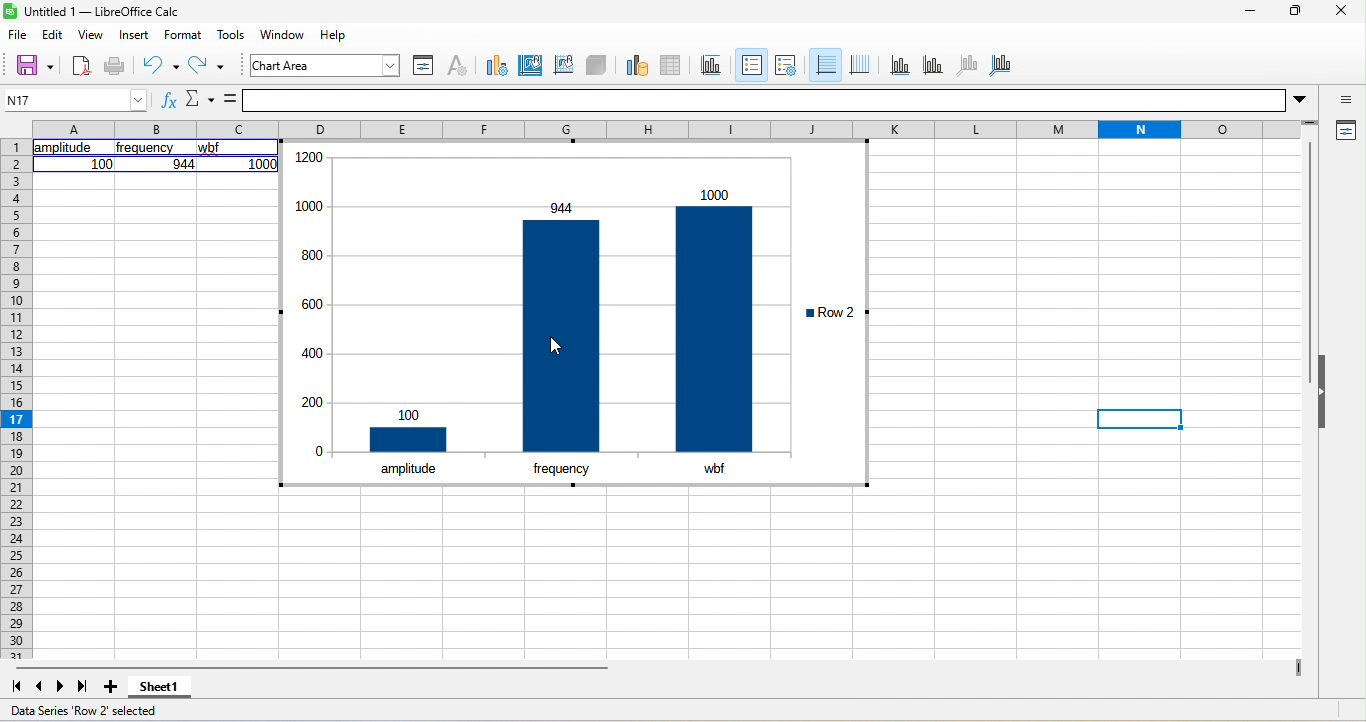 This screenshot has height=722, width=1366. What do you see at coordinates (940, 67) in the screenshot?
I see `y axis` at bounding box center [940, 67].